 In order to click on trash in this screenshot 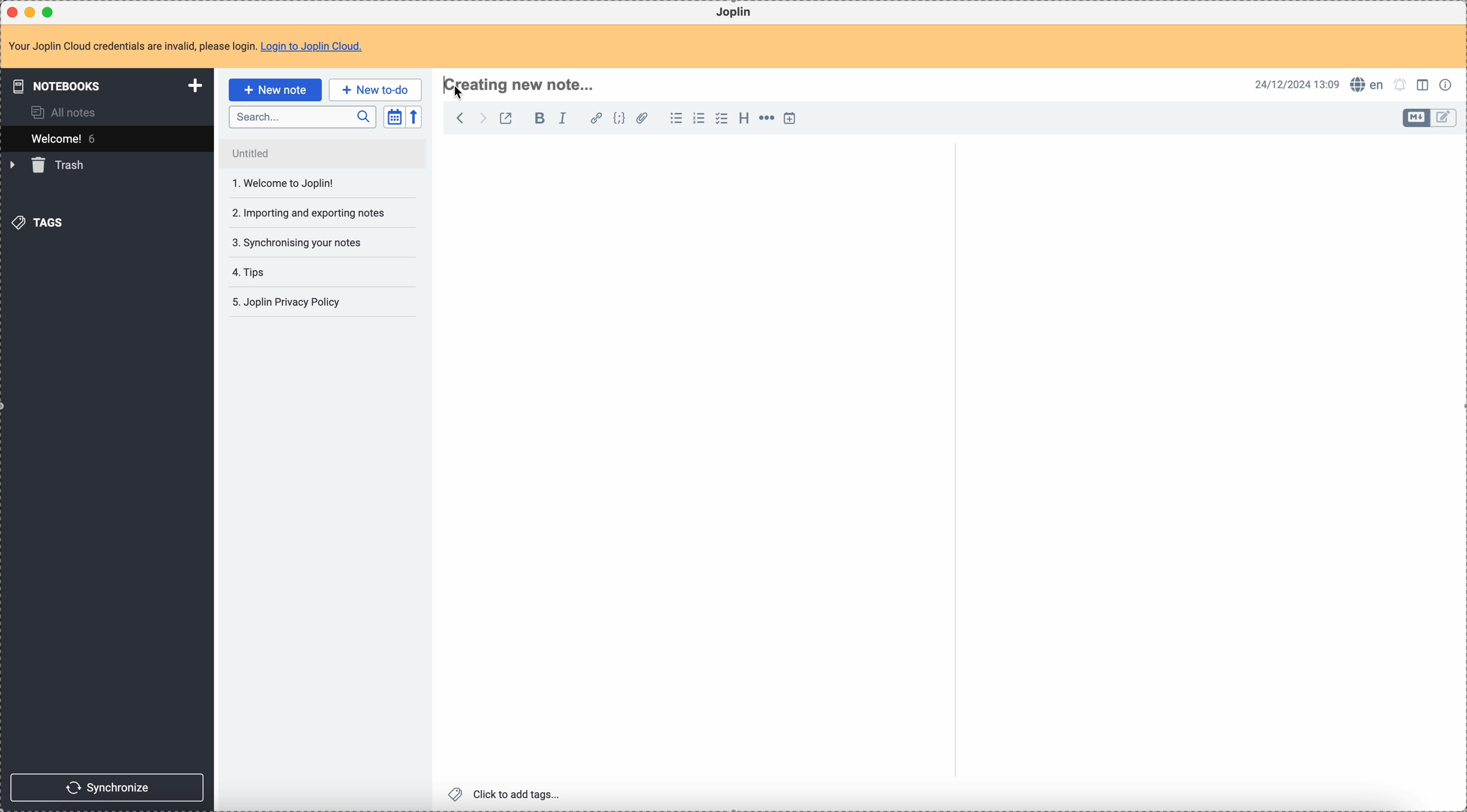, I will do `click(49, 165)`.